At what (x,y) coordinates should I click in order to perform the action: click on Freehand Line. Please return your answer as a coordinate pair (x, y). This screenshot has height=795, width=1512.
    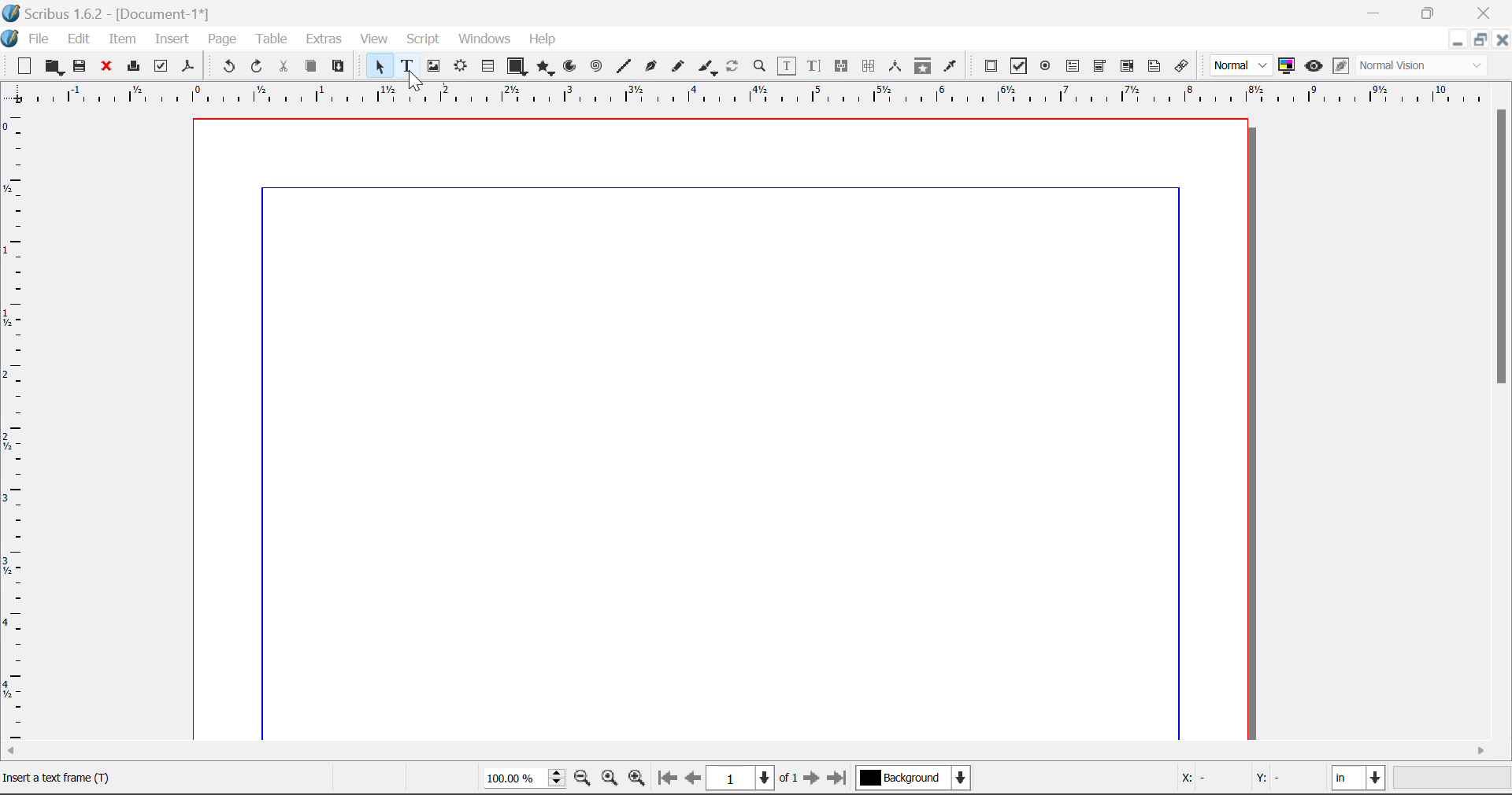
    Looking at the image, I should click on (676, 67).